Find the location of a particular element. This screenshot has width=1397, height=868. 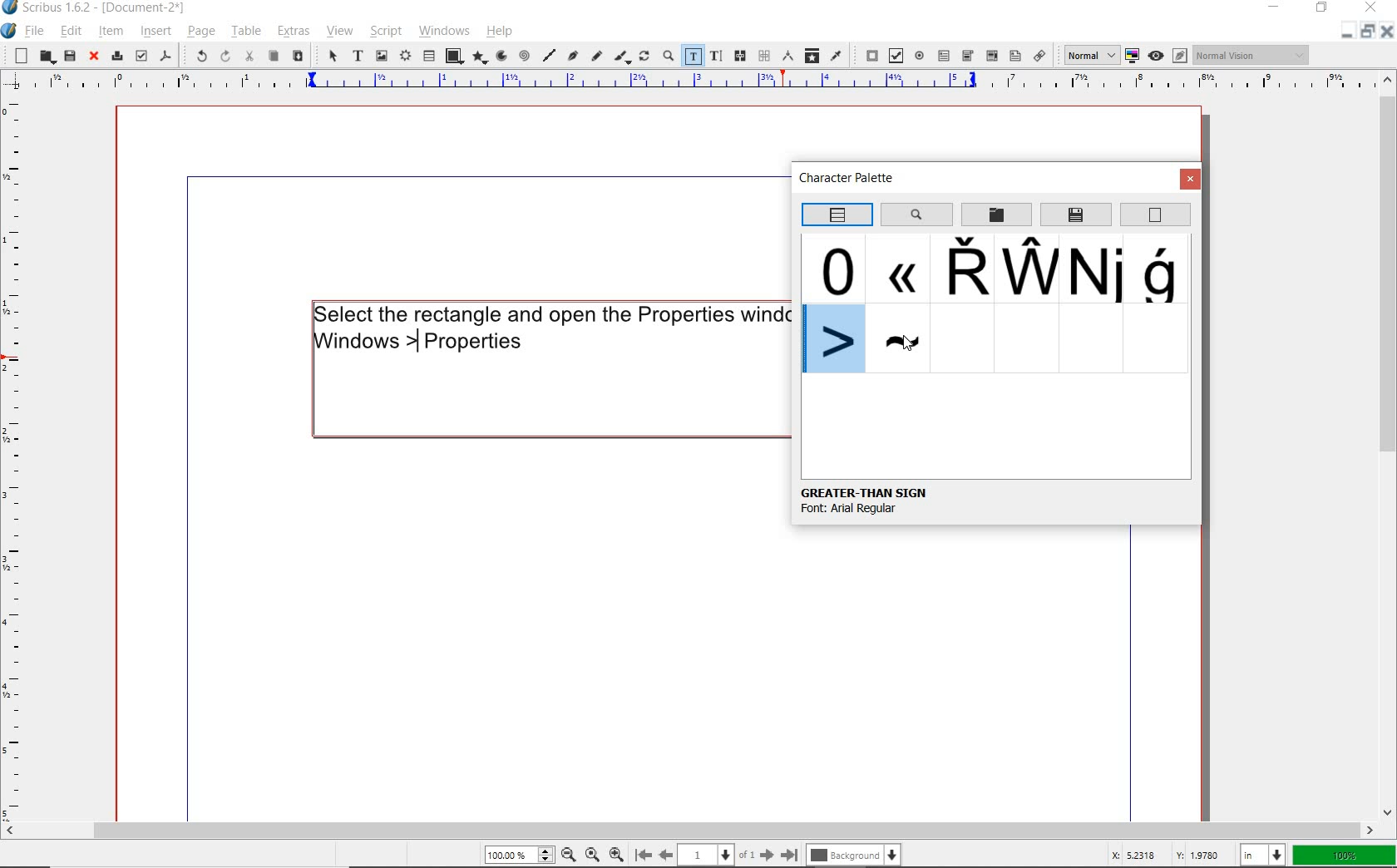

view is located at coordinates (338, 33).